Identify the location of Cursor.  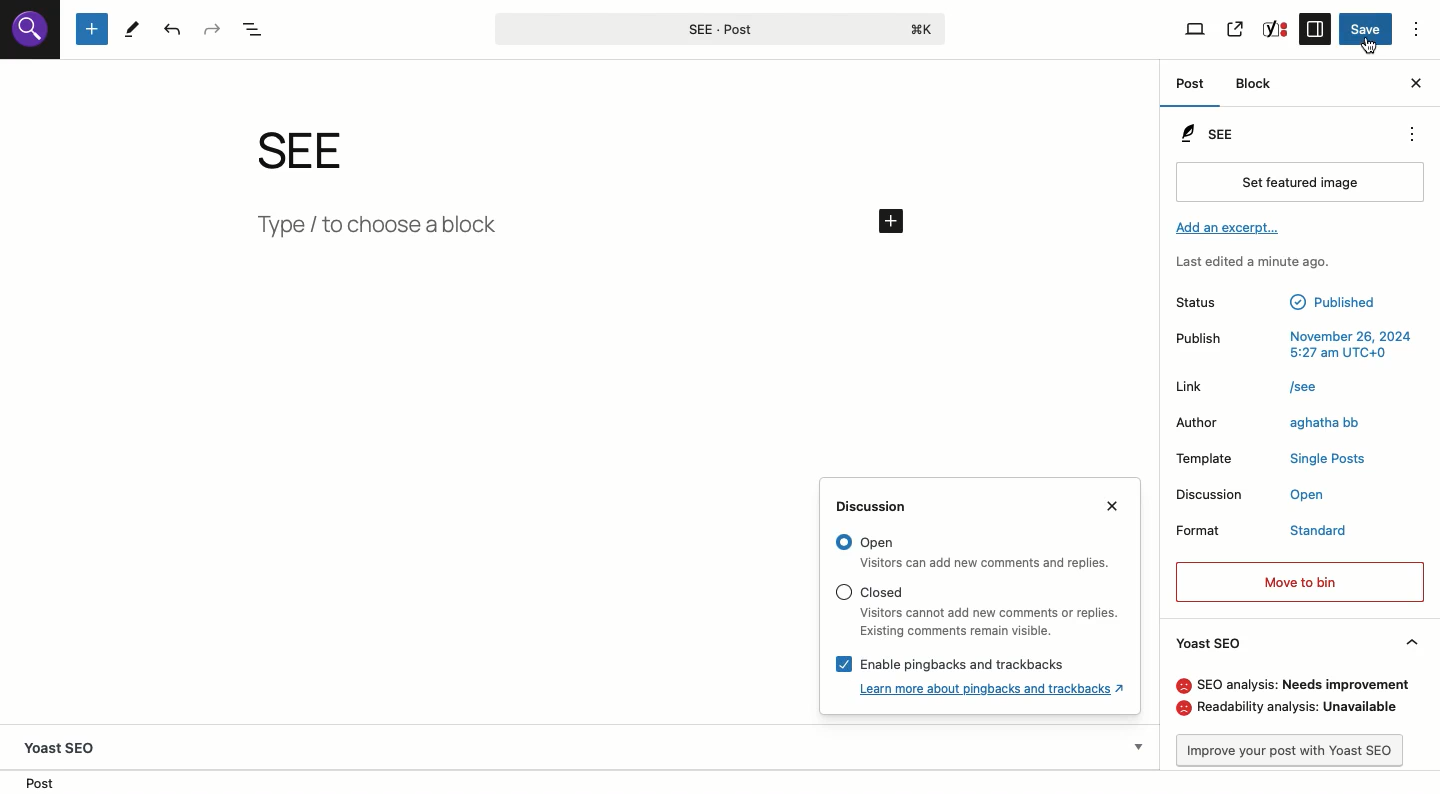
(1370, 47).